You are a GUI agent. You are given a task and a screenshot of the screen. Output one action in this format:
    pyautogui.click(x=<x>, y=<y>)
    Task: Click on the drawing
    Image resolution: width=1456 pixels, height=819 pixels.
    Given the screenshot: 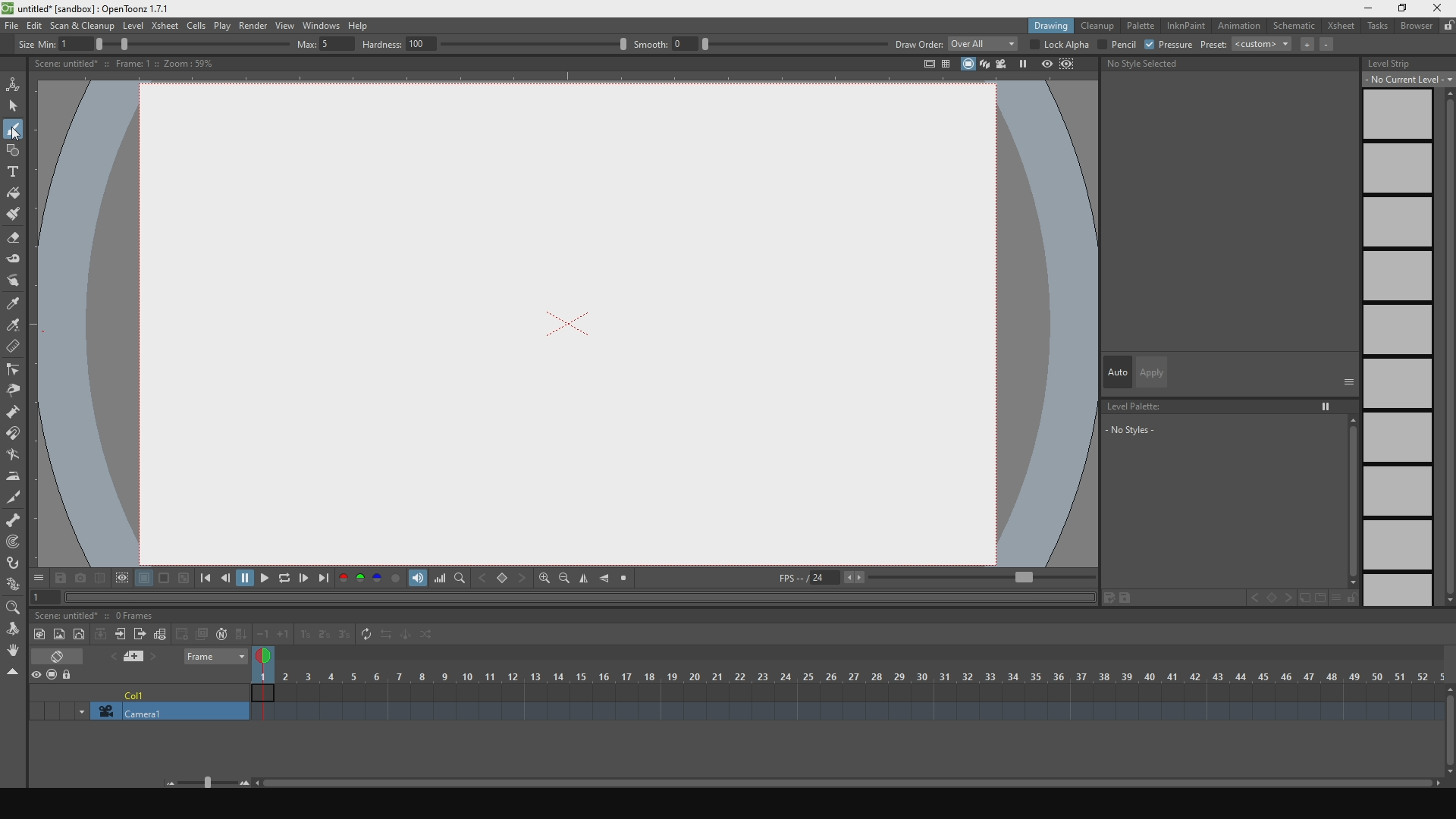 What is the action you would take?
    pyautogui.click(x=1042, y=27)
    